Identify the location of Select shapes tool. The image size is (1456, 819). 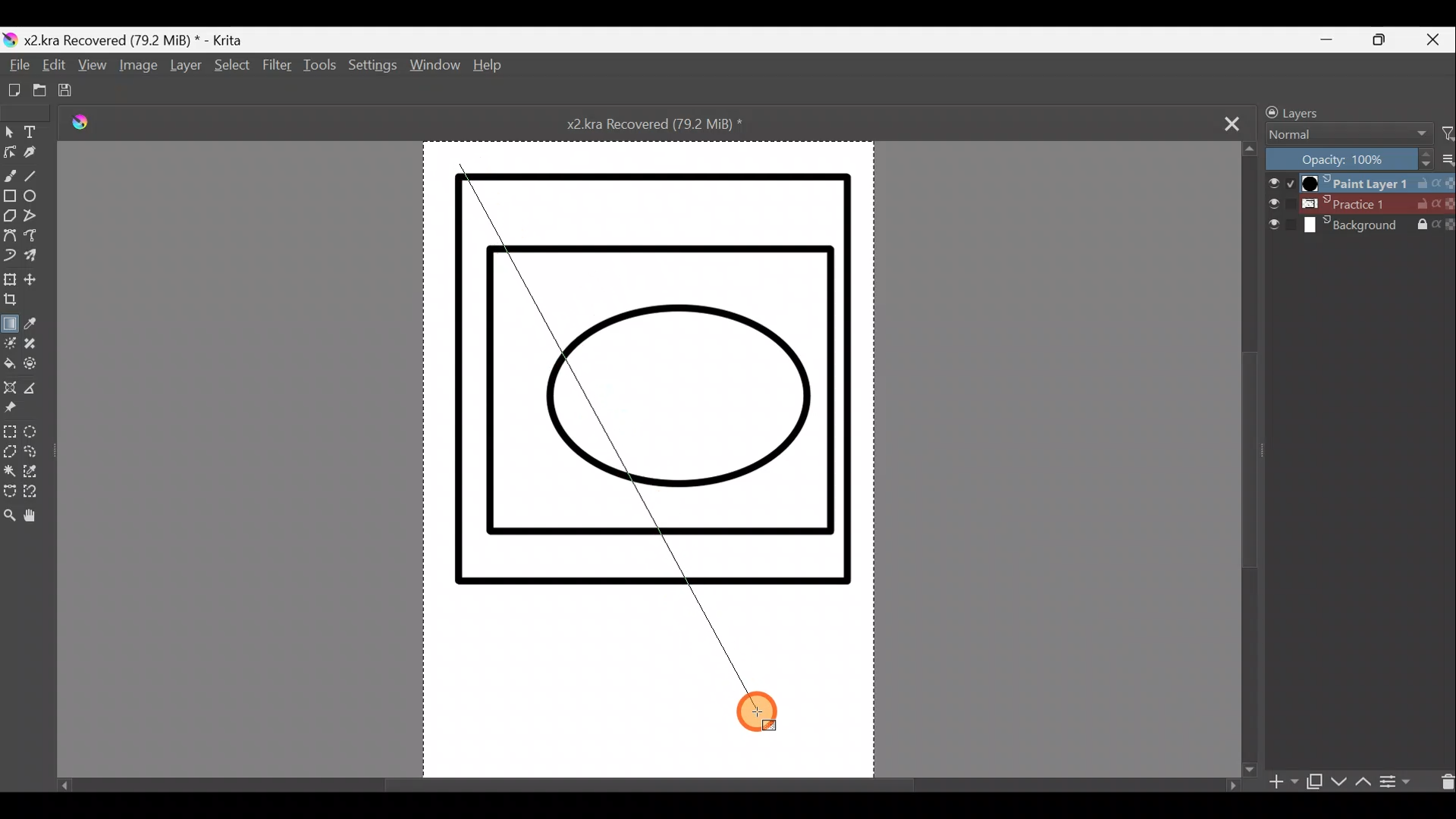
(9, 133).